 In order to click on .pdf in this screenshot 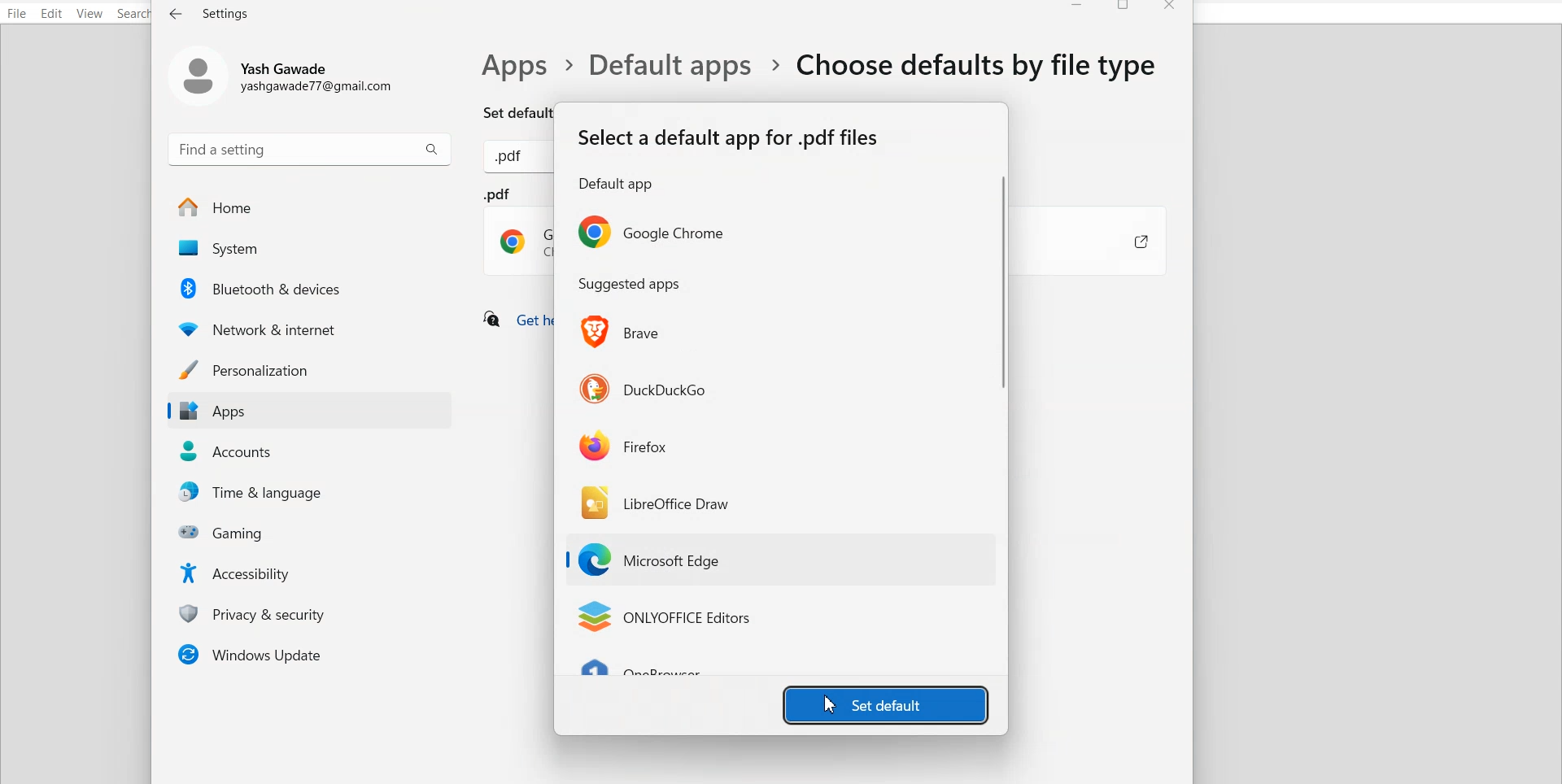, I will do `click(519, 232)`.